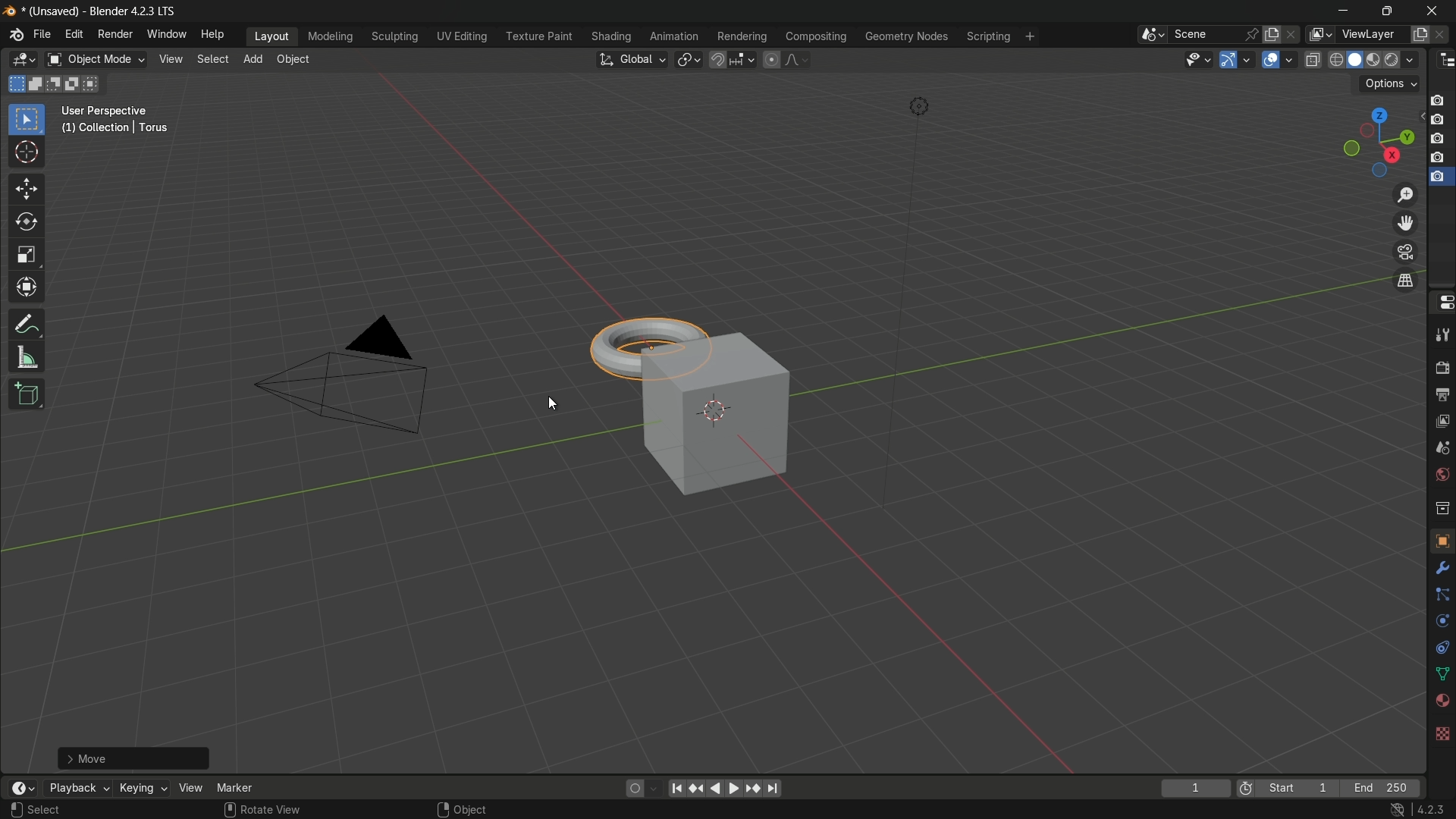 The width and height of the screenshot is (1456, 819). What do you see at coordinates (396, 36) in the screenshot?
I see `sculpting` at bounding box center [396, 36].